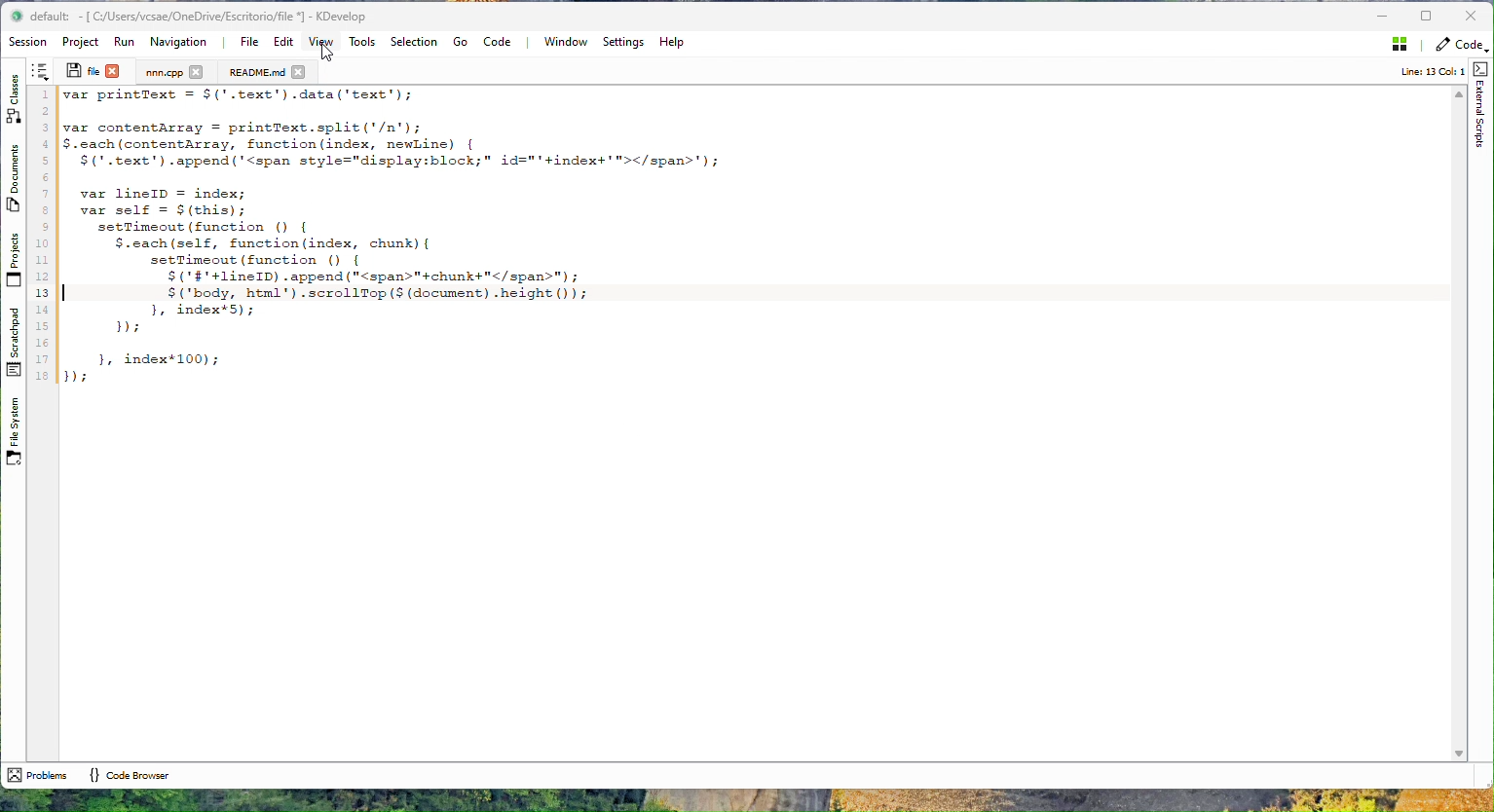  Describe the element at coordinates (82, 70) in the screenshot. I see `File` at that location.